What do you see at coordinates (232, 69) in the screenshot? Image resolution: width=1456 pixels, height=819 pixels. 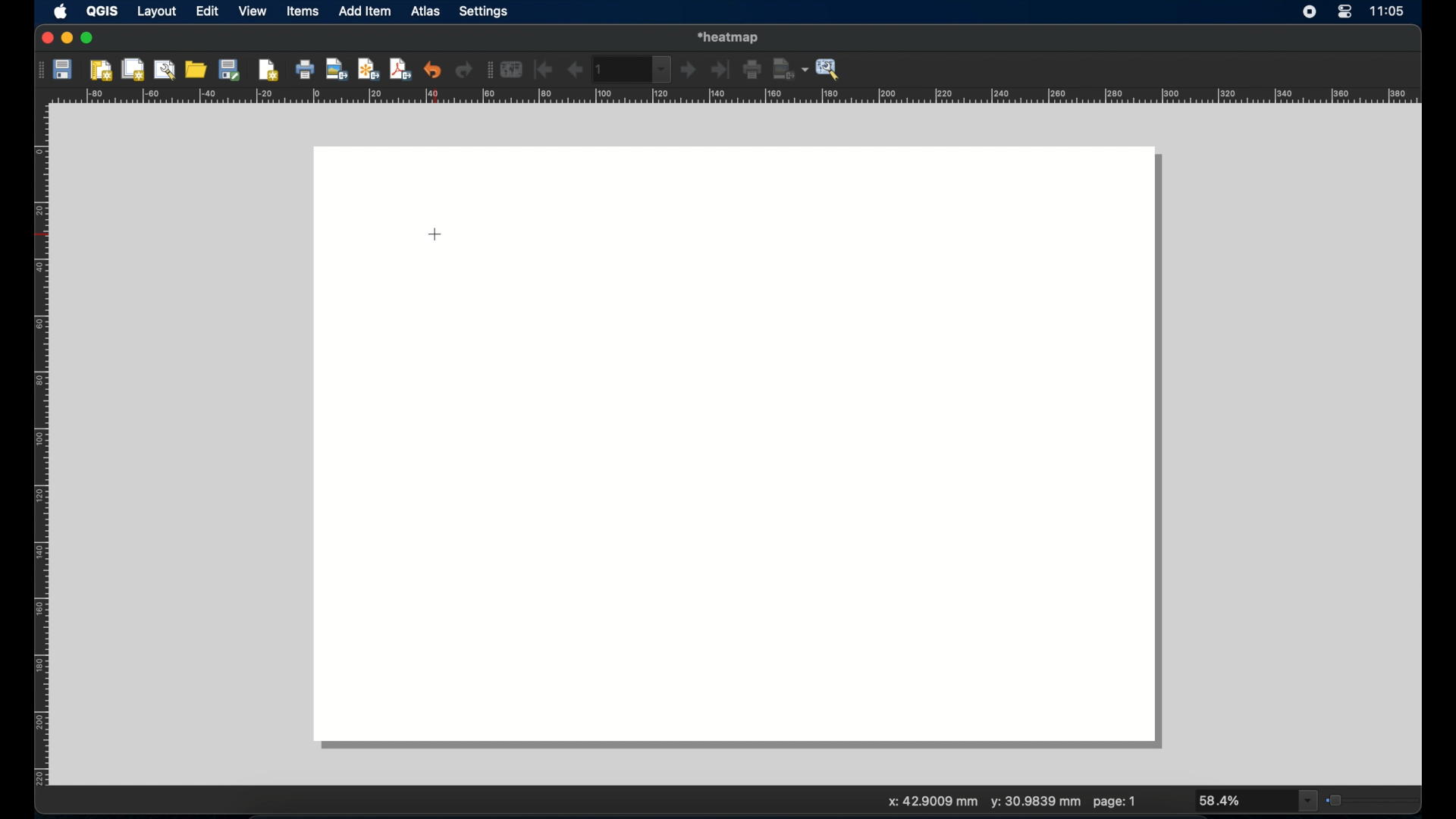 I see `saves template` at bounding box center [232, 69].